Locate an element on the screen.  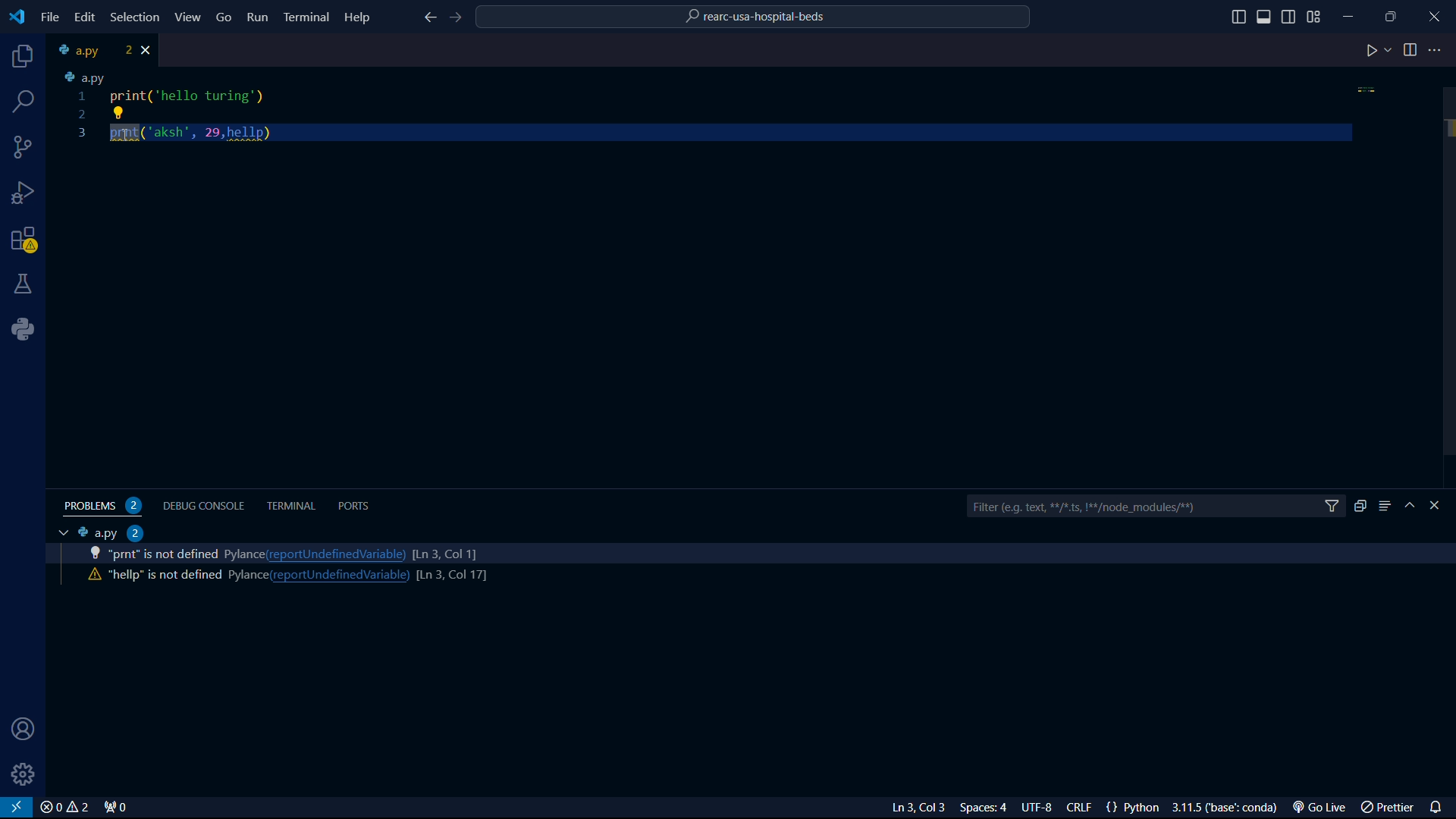
reportundefinedvariable is located at coordinates (339, 576).